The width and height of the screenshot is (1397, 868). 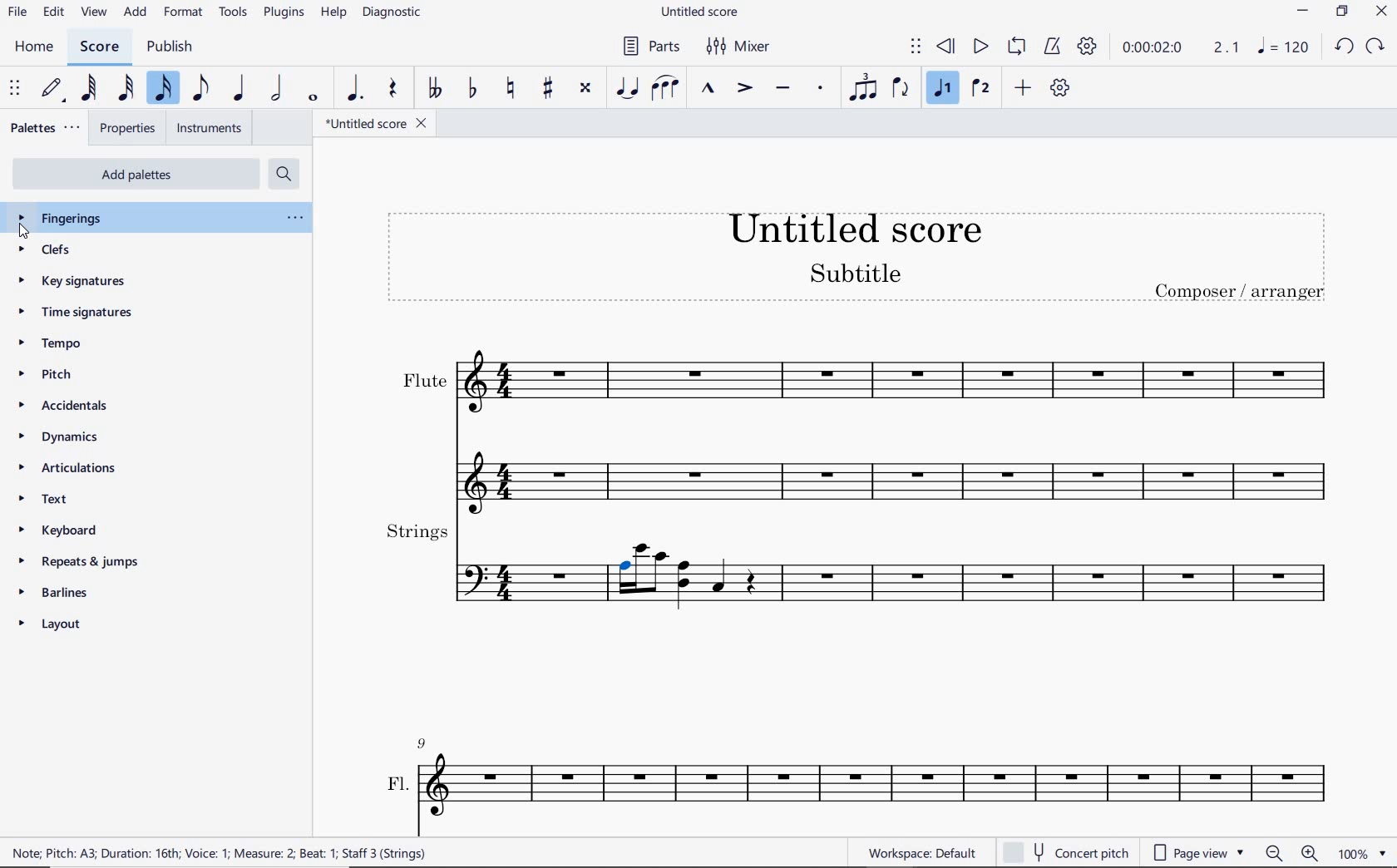 What do you see at coordinates (49, 500) in the screenshot?
I see `text` at bounding box center [49, 500].